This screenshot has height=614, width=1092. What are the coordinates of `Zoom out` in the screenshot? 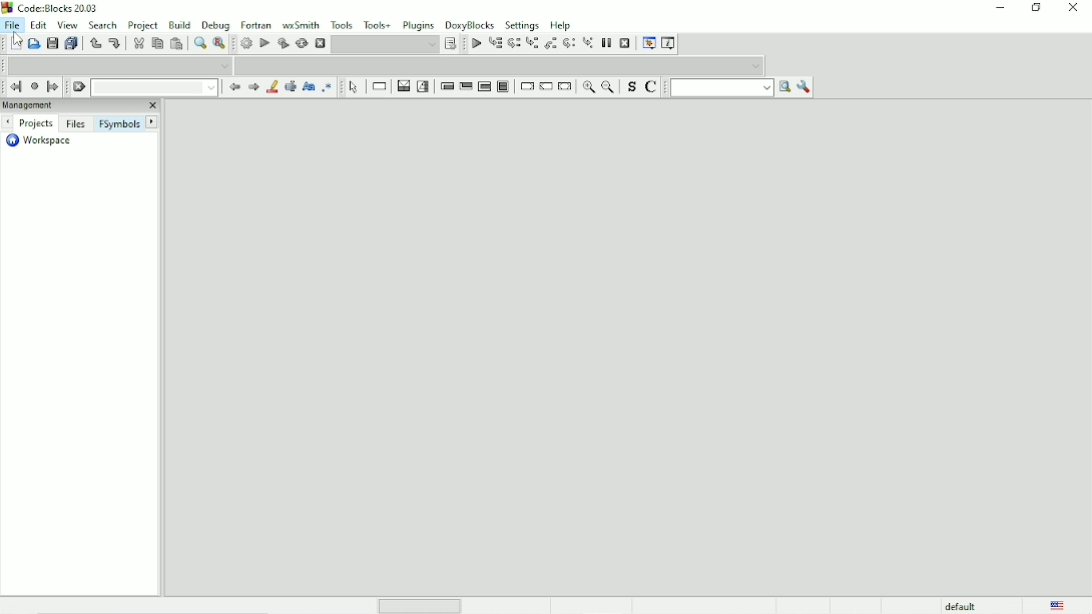 It's located at (607, 86).